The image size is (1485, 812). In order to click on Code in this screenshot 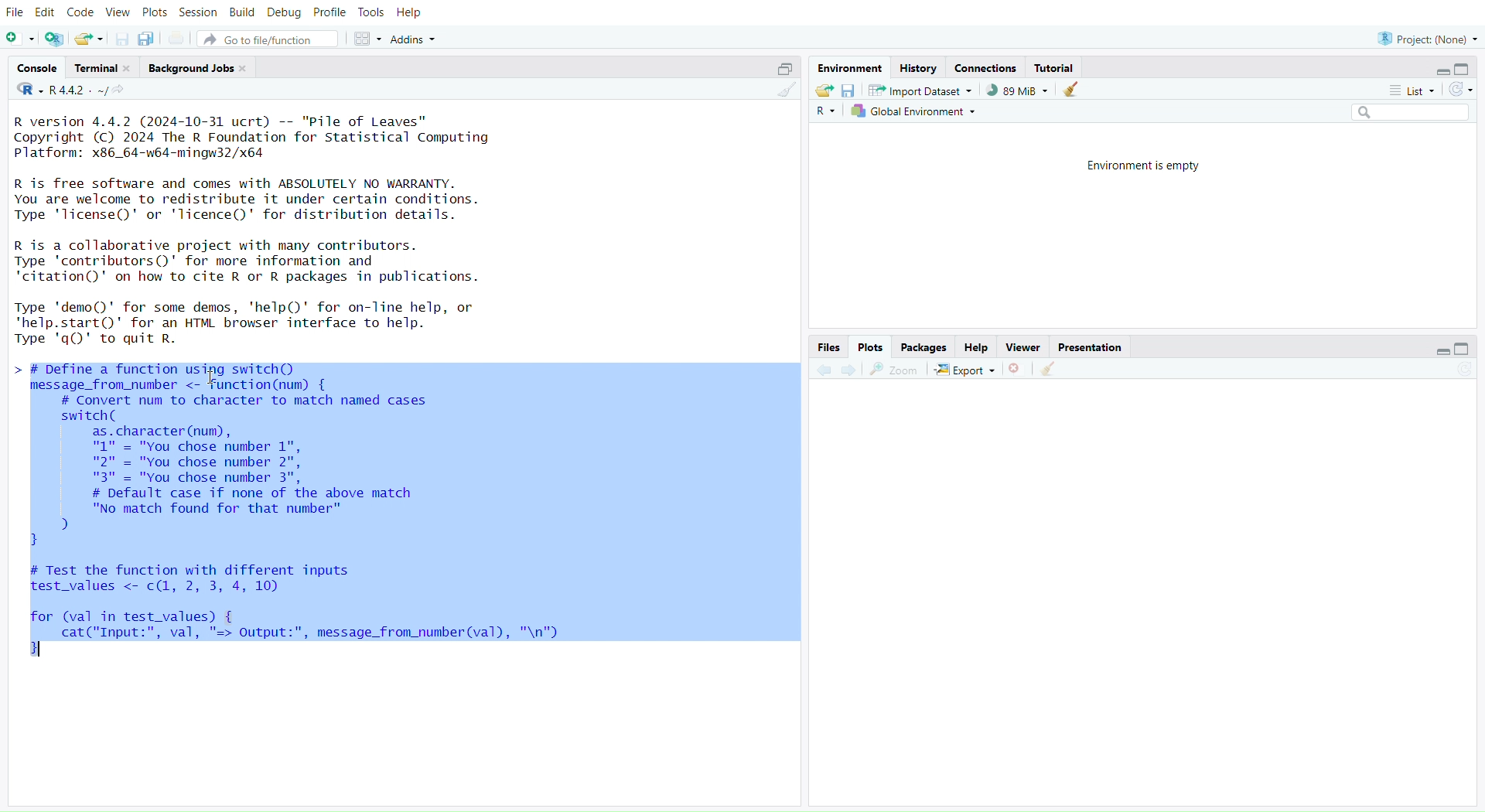, I will do `click(81, 12)`.